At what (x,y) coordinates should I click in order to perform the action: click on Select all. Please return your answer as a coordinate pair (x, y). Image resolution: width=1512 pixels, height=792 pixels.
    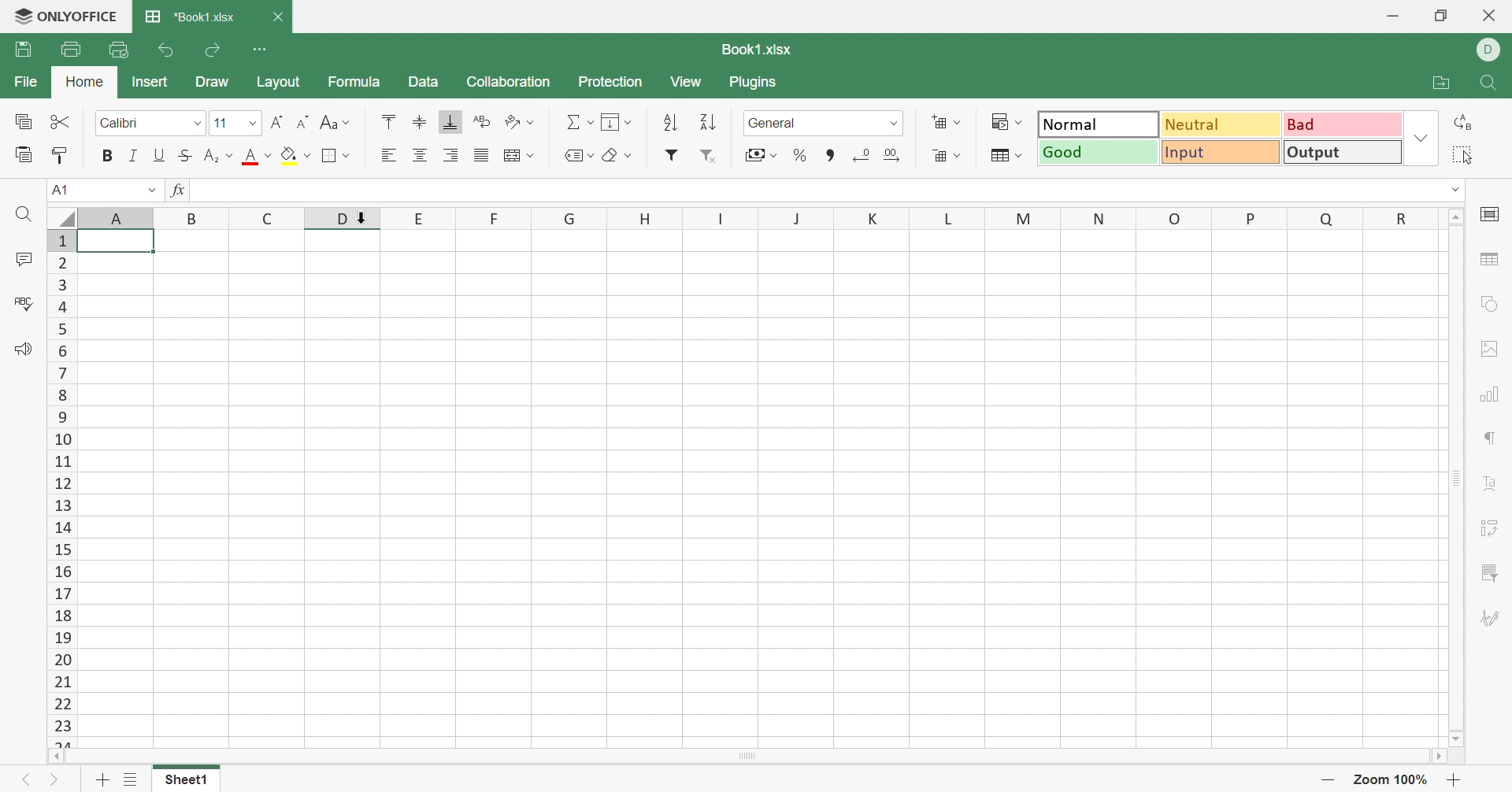
    Looking at the image, I should click on (1462, 154).